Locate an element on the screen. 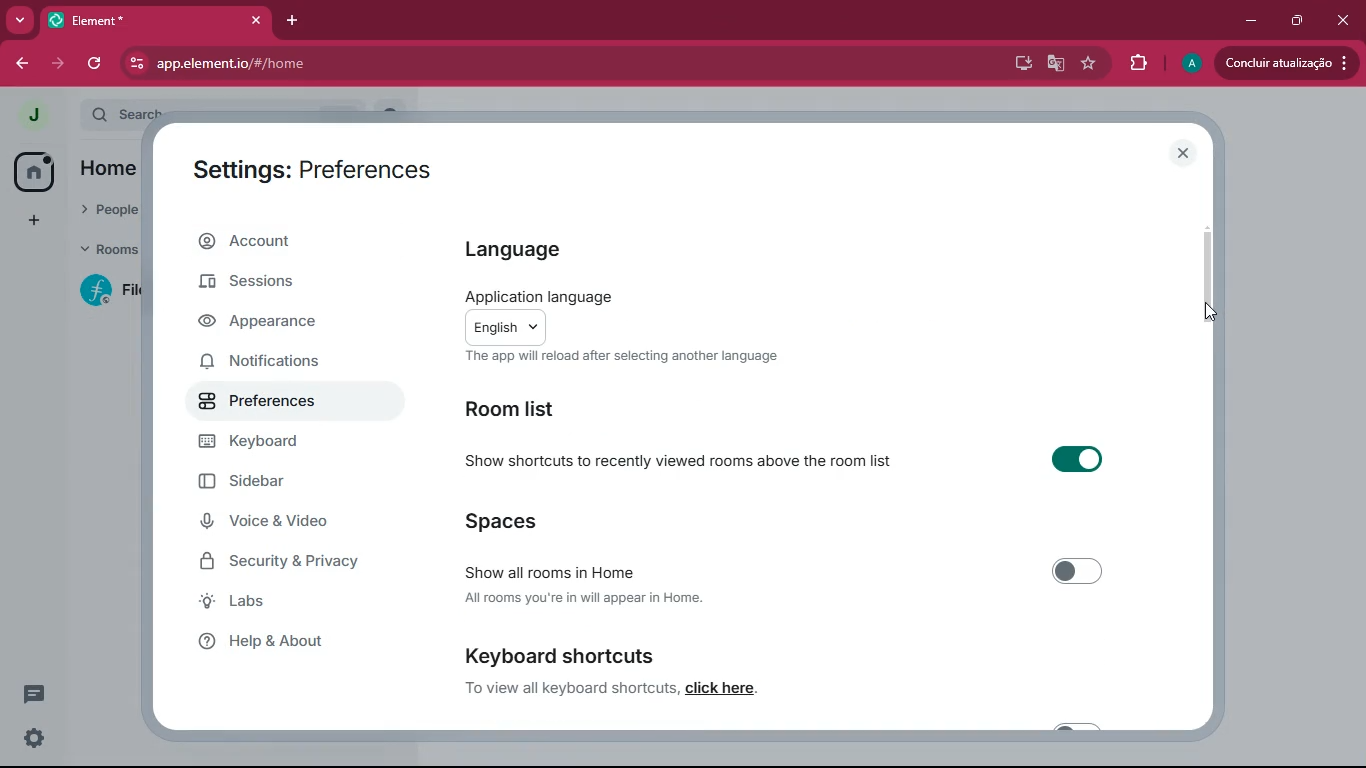  account is located at coordinates (290, 242).